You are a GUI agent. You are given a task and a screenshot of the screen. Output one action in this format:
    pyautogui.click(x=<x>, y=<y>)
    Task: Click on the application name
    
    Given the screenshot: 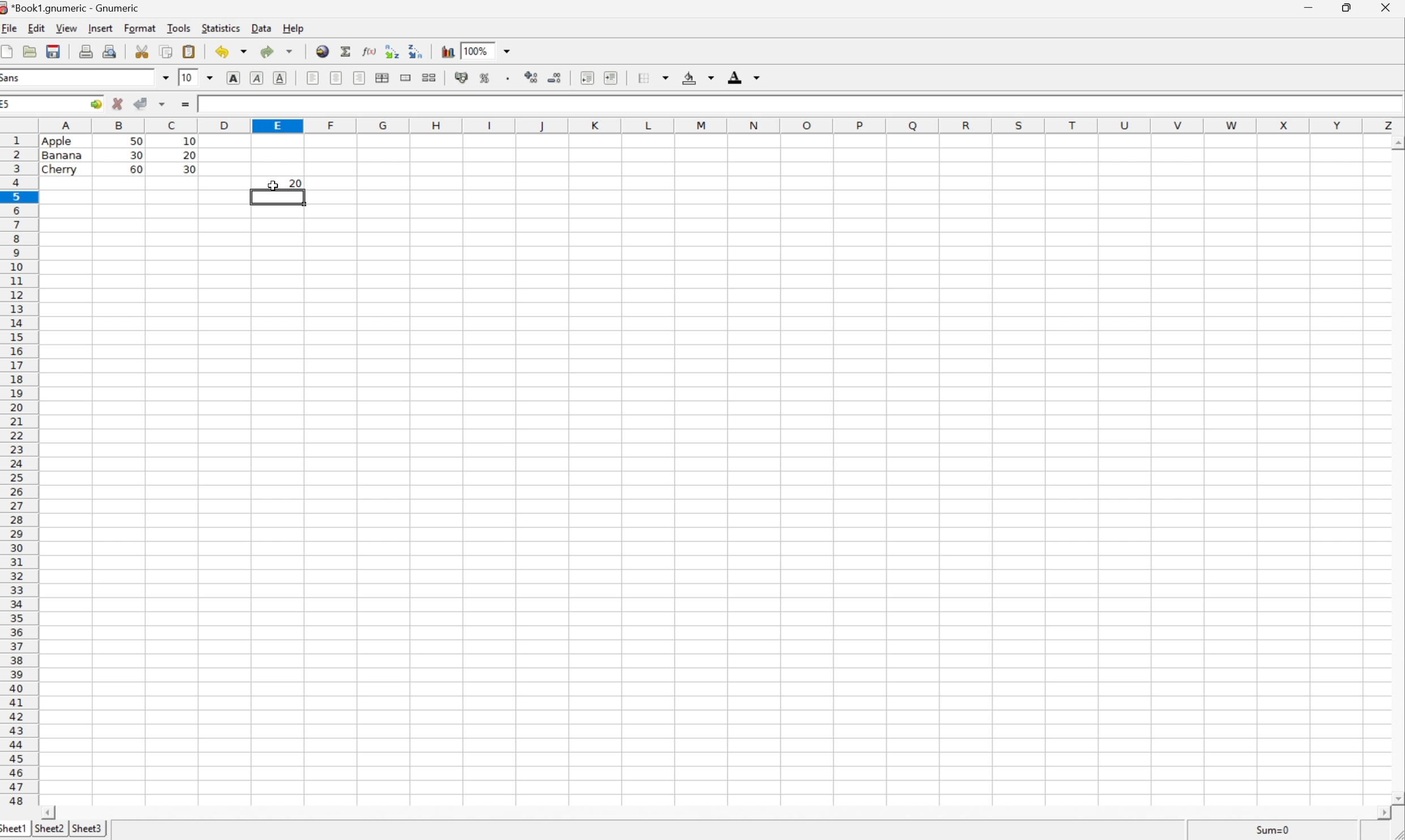 What is the action you would take?
    pyautogui.click(x=70, y=8)
    